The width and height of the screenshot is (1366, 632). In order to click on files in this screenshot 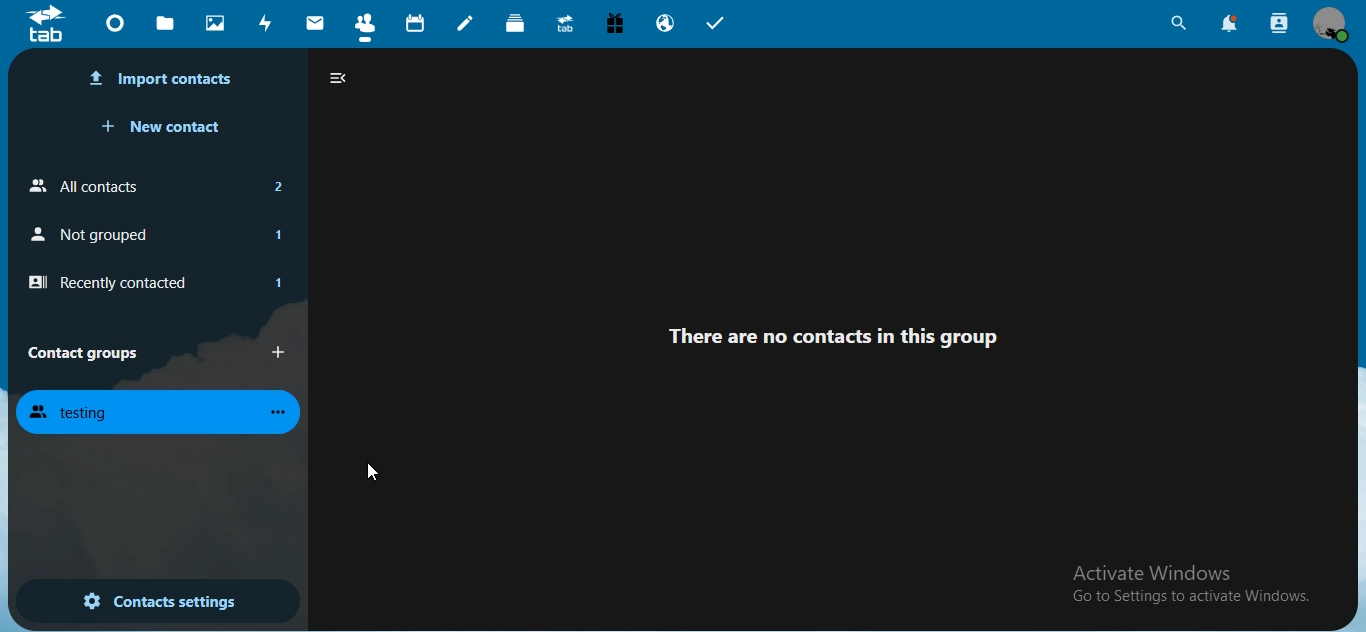, I will do `click(165, 22)`.